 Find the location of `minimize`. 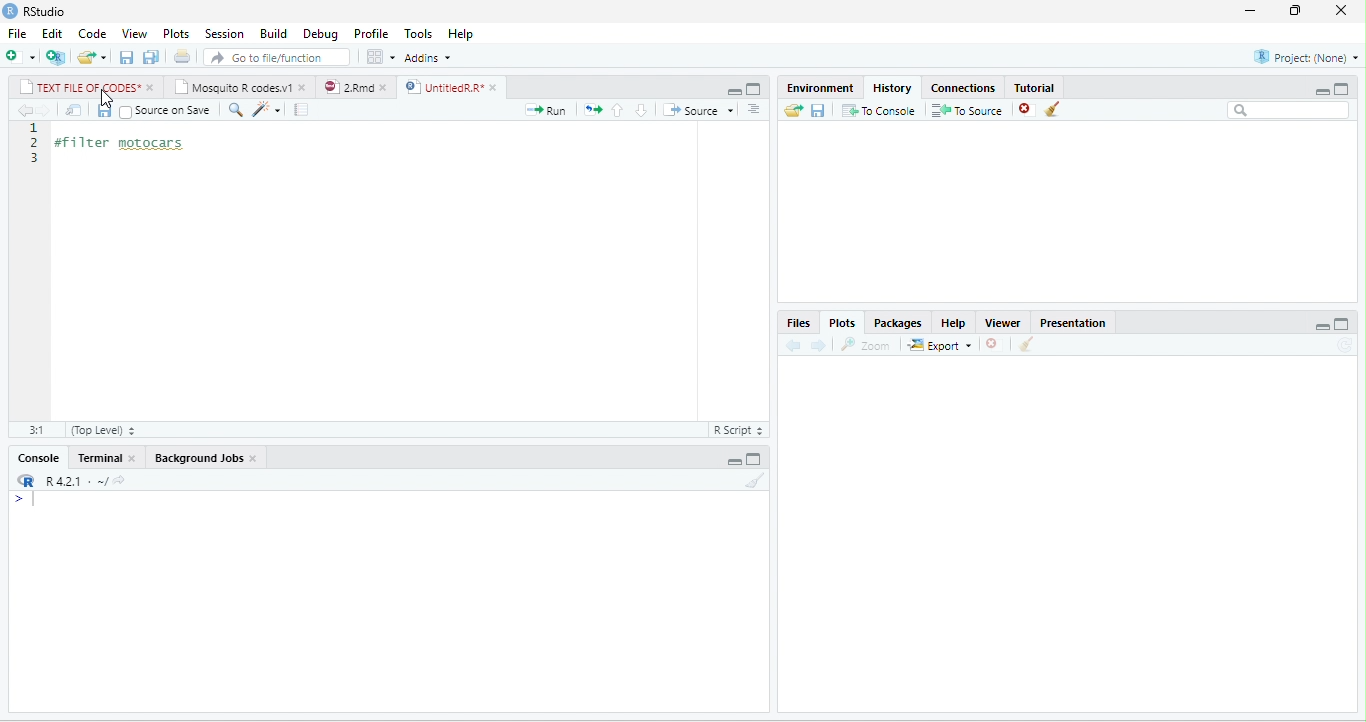

minimize is located at coordinates (1321, 91).